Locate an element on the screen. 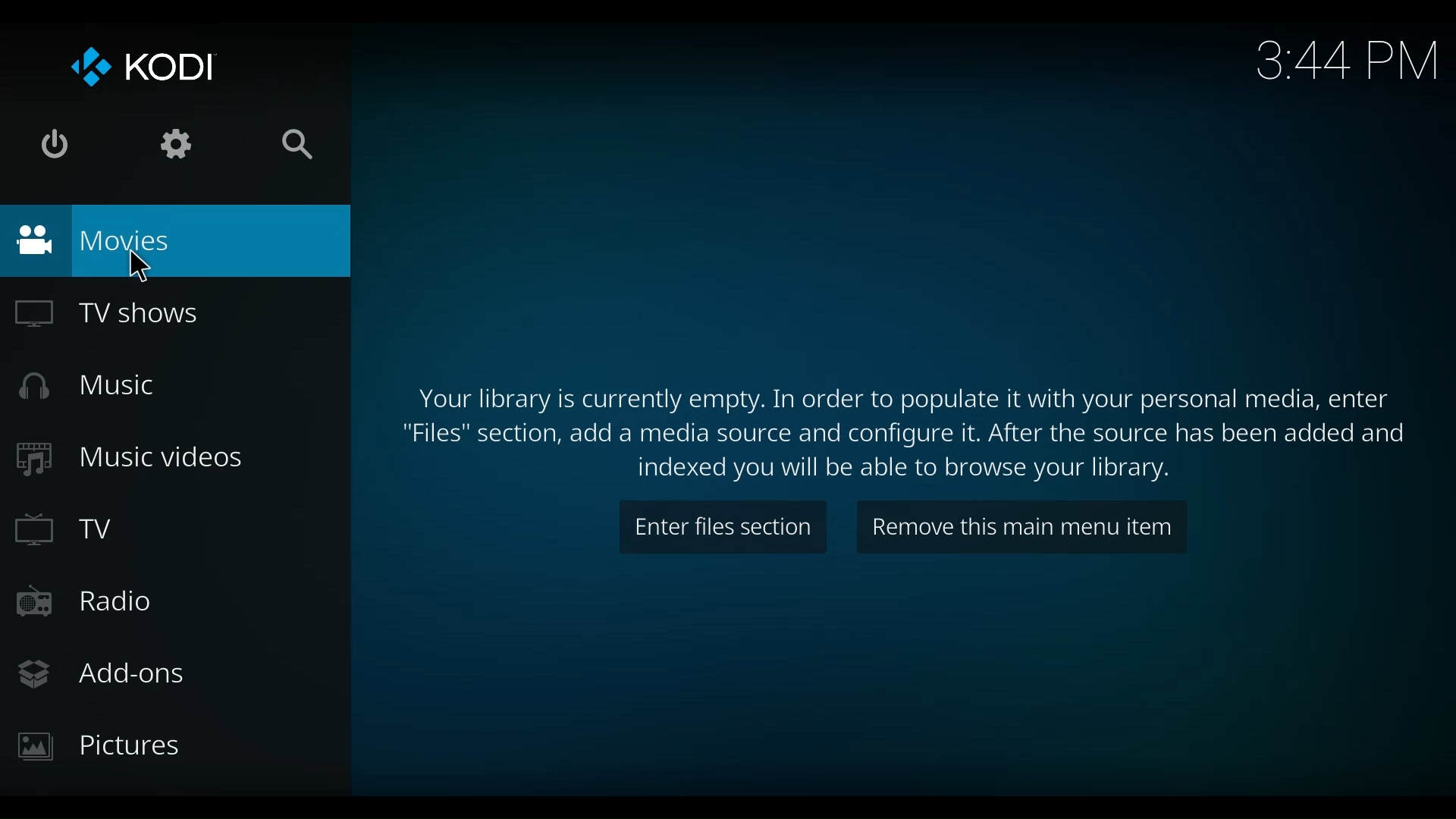 The image size is (1456, 819). Settings is located at coordinates (179, 143).